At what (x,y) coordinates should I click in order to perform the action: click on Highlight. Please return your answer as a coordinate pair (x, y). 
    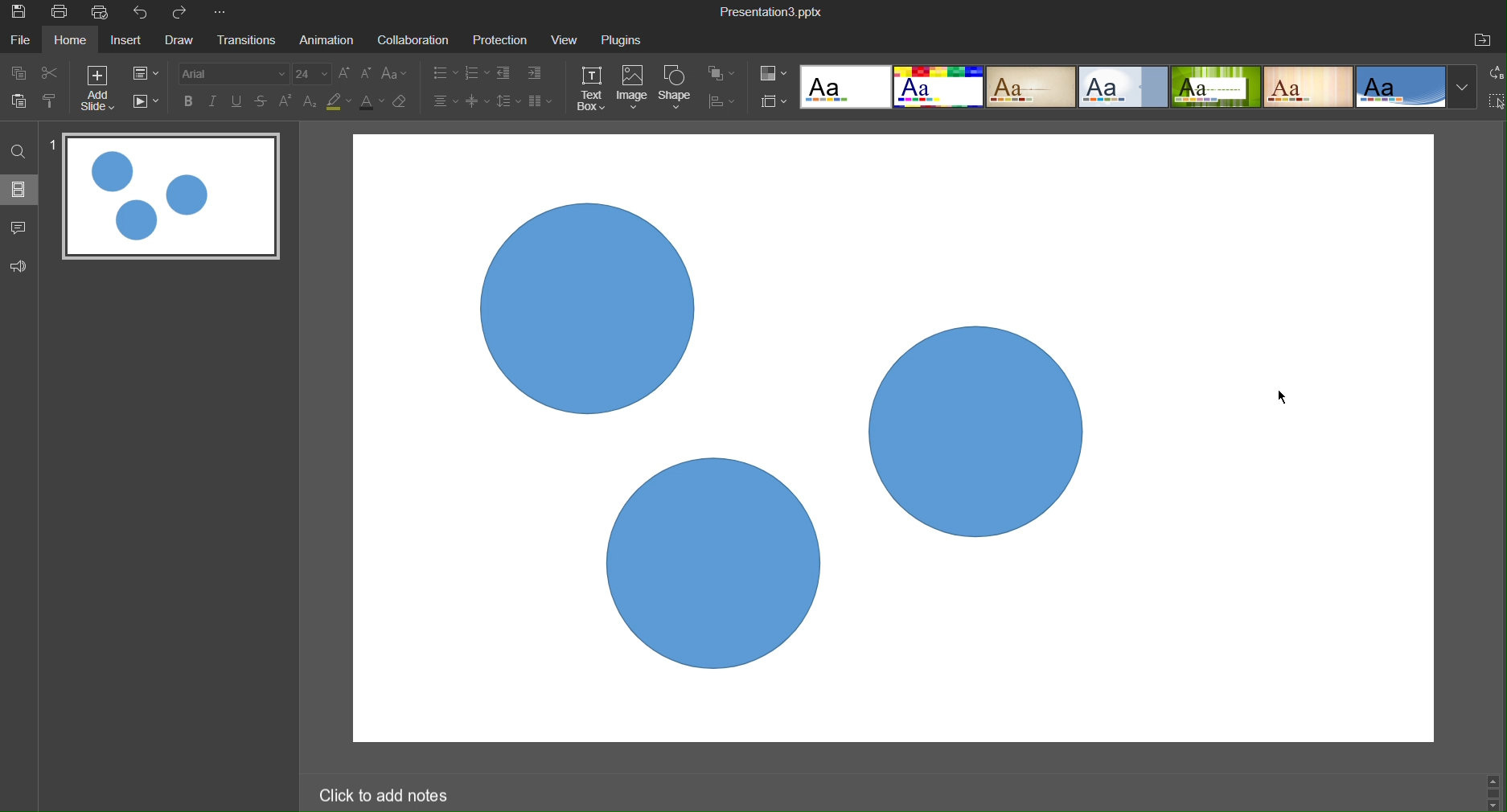
    Looking at the image, I should click on (337, 102).